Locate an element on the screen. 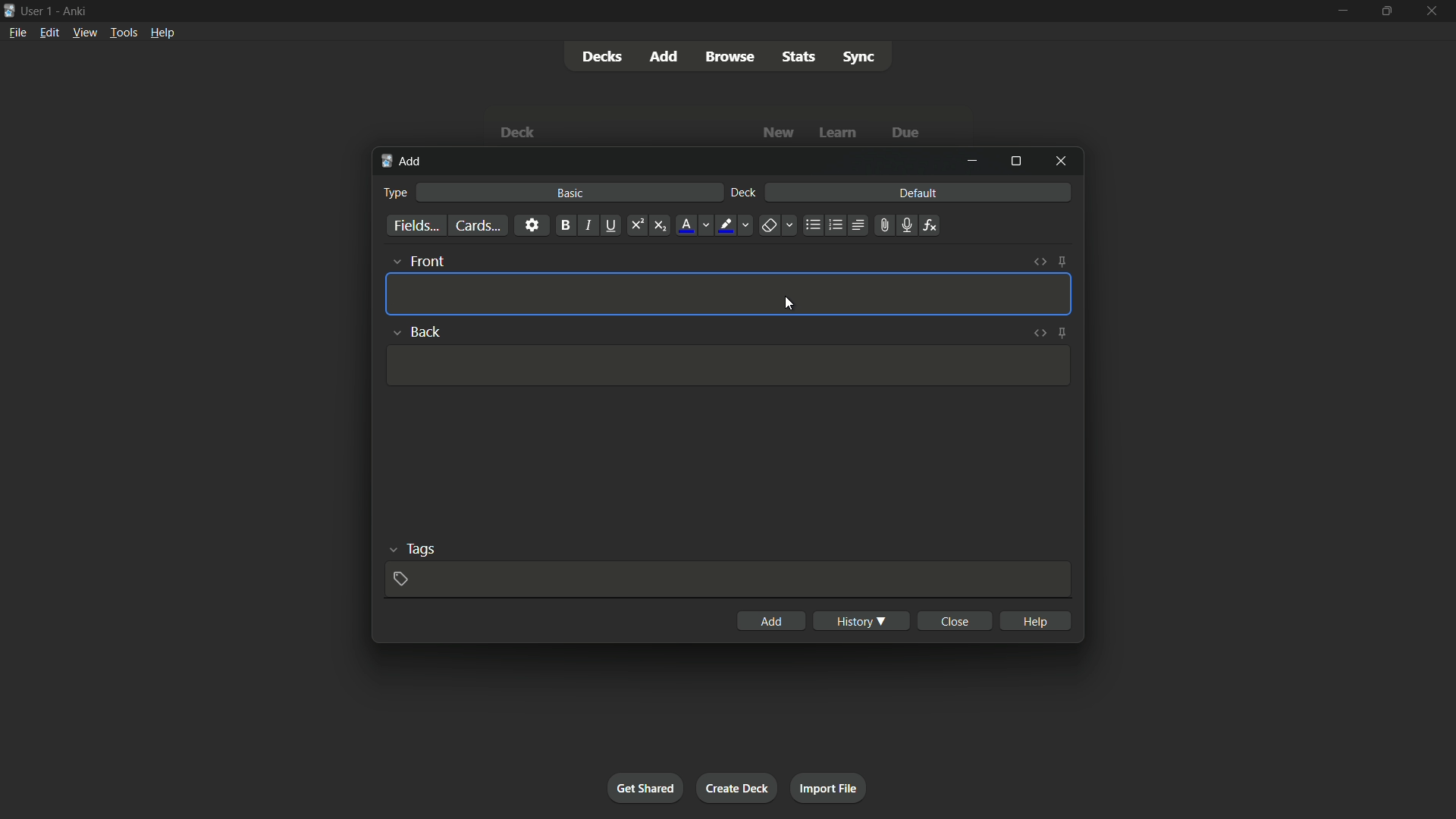 Image resolution: width=1456 pixels, height=819 pixels. close window is located at coordinates (1062, 160).